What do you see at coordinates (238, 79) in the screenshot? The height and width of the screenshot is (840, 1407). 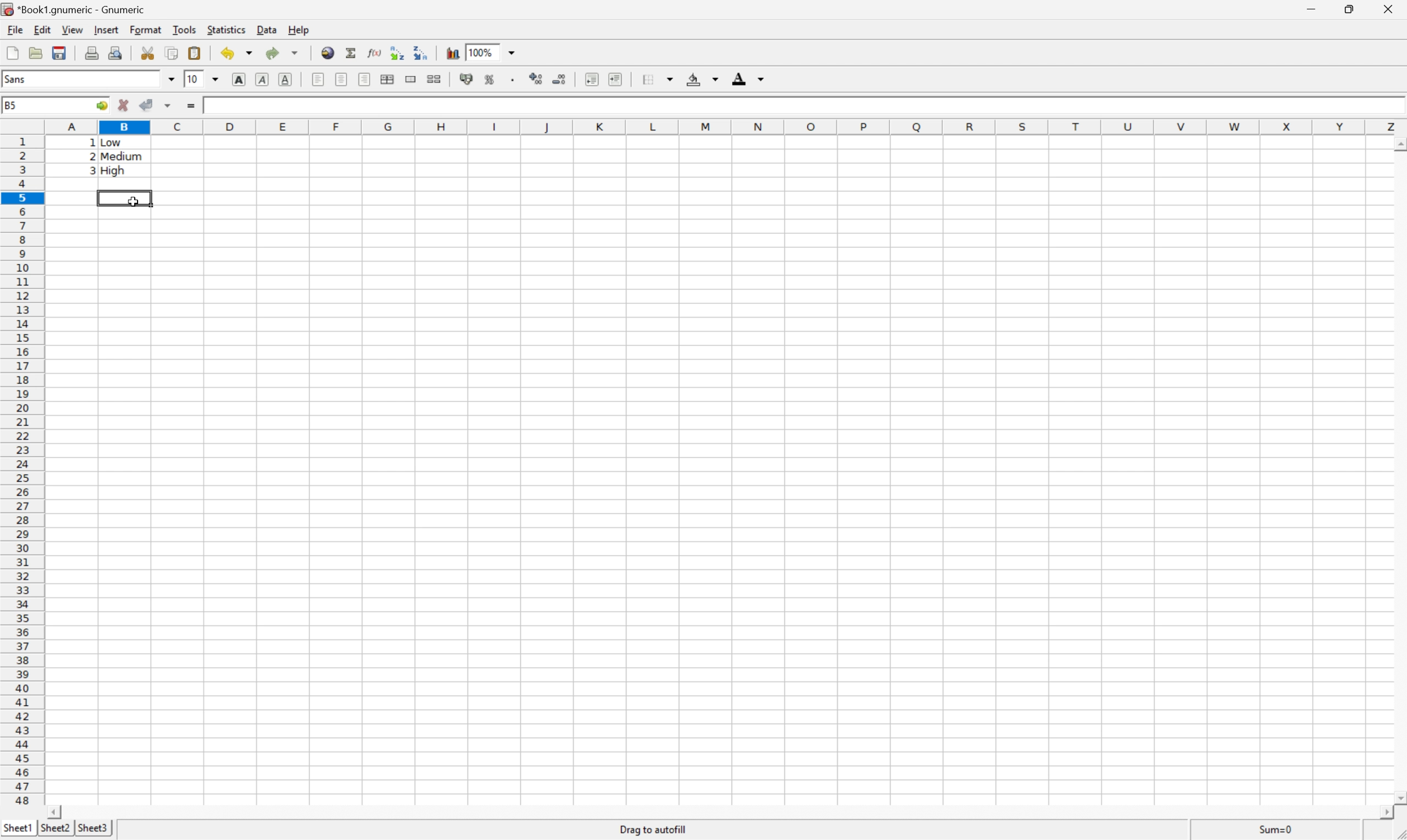 I see `Bold` at bounding box center [238, 79].